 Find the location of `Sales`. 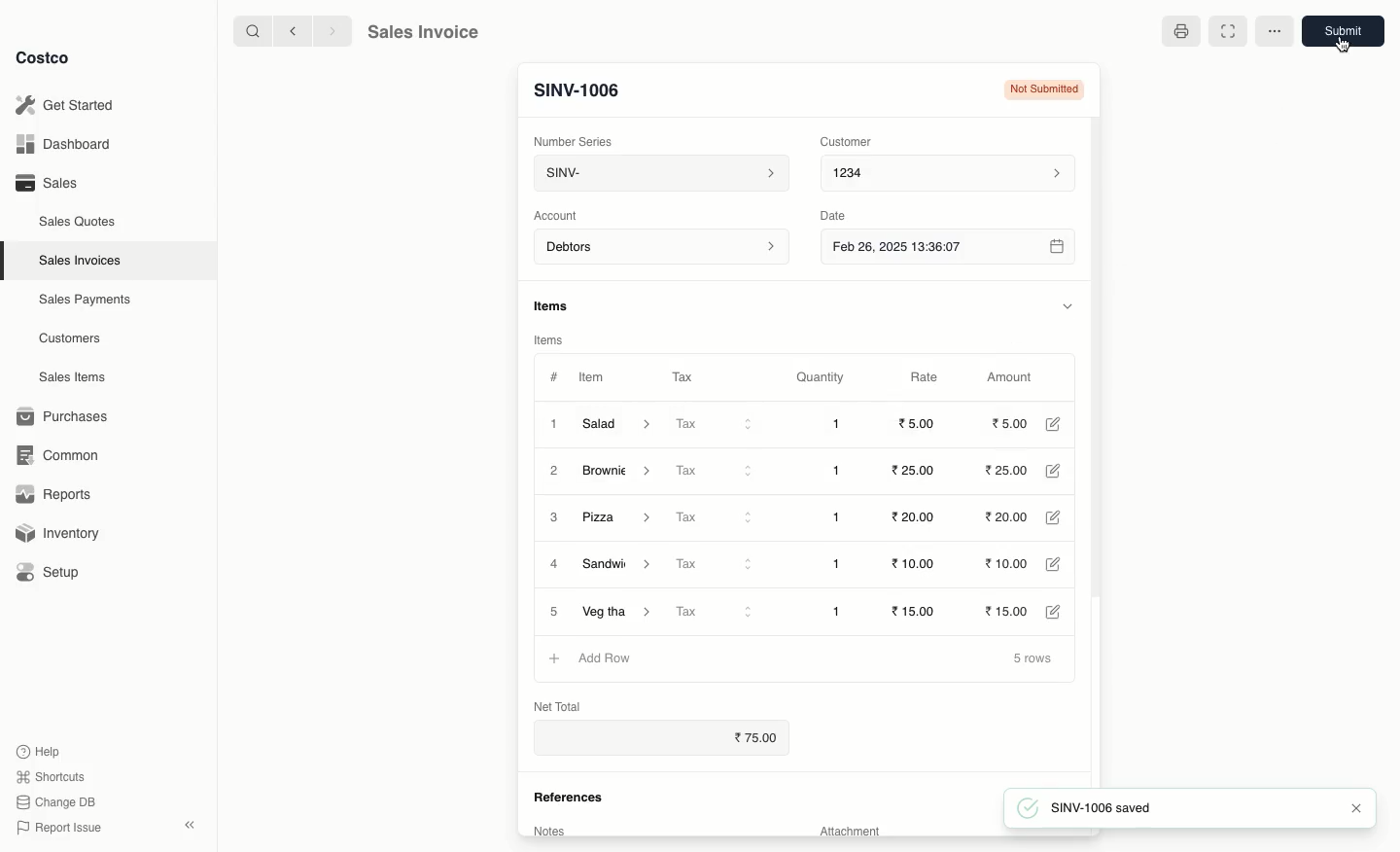

Sales is located at coordinates (46, 183).